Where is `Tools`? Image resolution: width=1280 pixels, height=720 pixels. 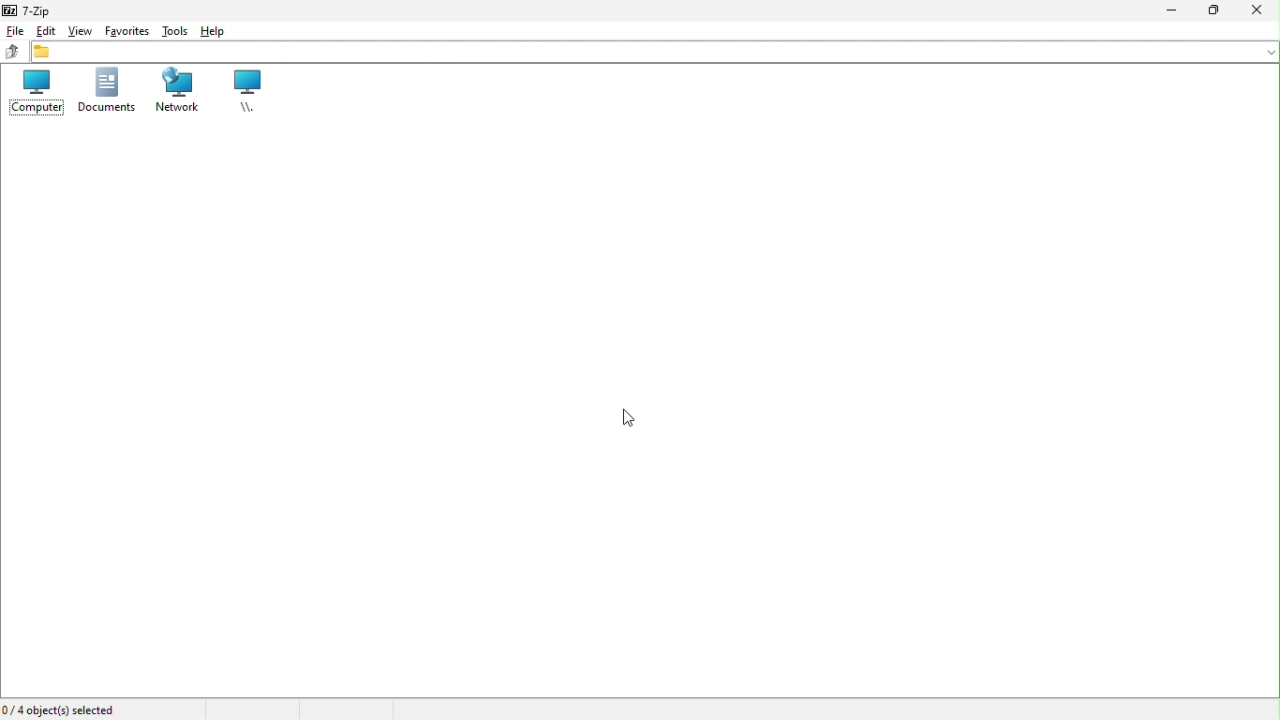 Tools is located at coordinates (175, 28).